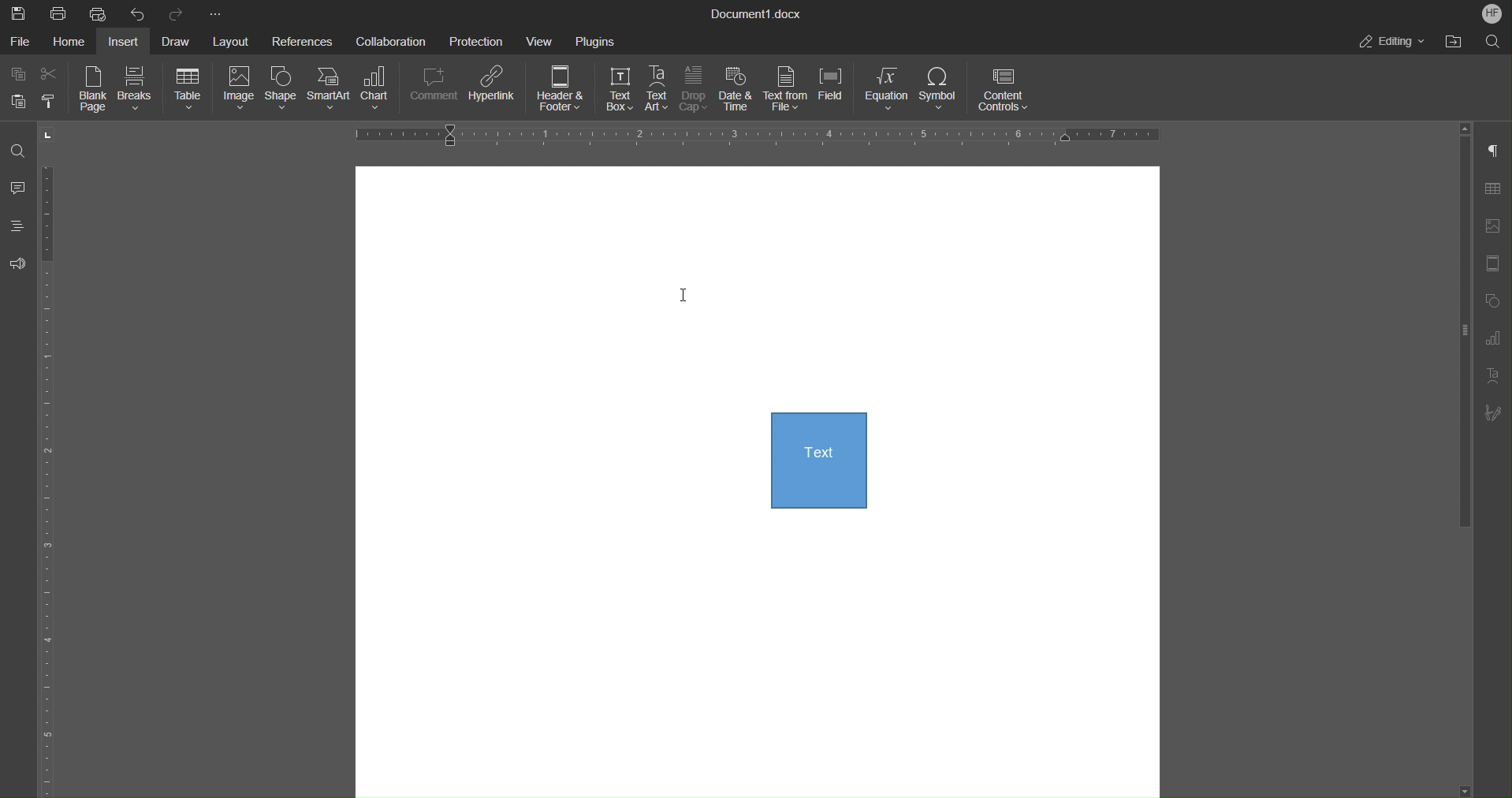 This screenshot has width=1512, height=798. I want to click on Headings, so click(20, 229).